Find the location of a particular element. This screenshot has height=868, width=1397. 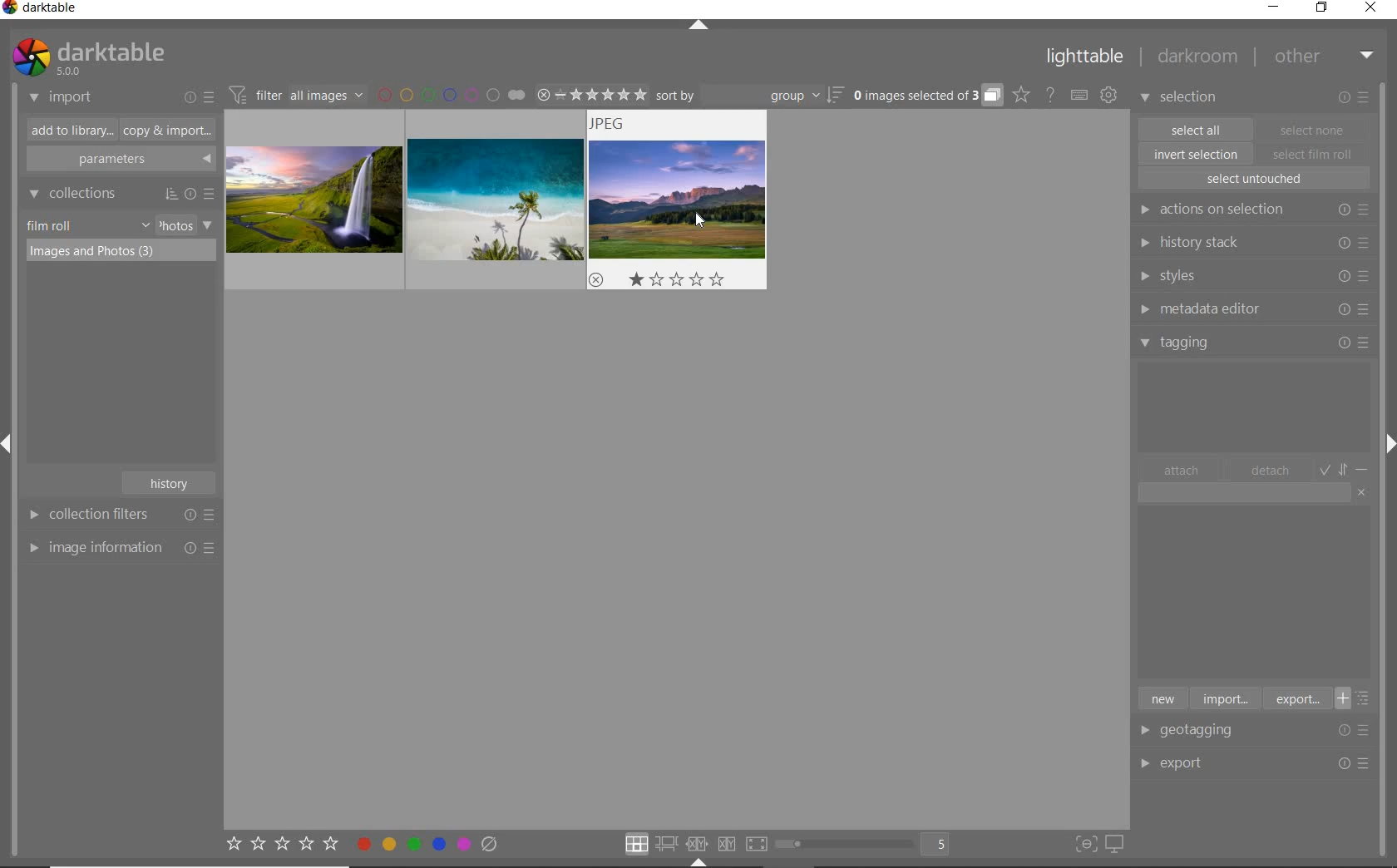

invert selection is located at coordinates (1197, 154).